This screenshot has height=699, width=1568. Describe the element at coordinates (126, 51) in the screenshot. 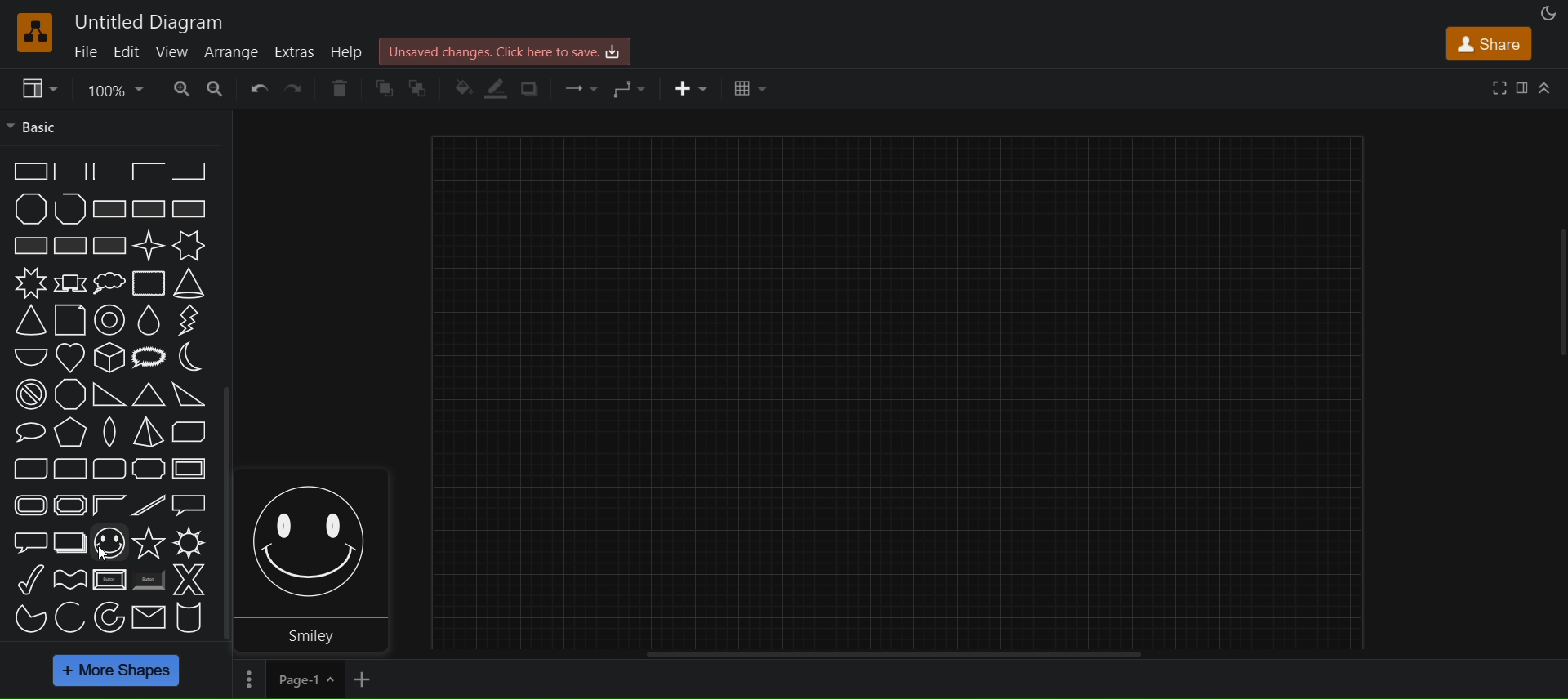

I see `edit` at that location.